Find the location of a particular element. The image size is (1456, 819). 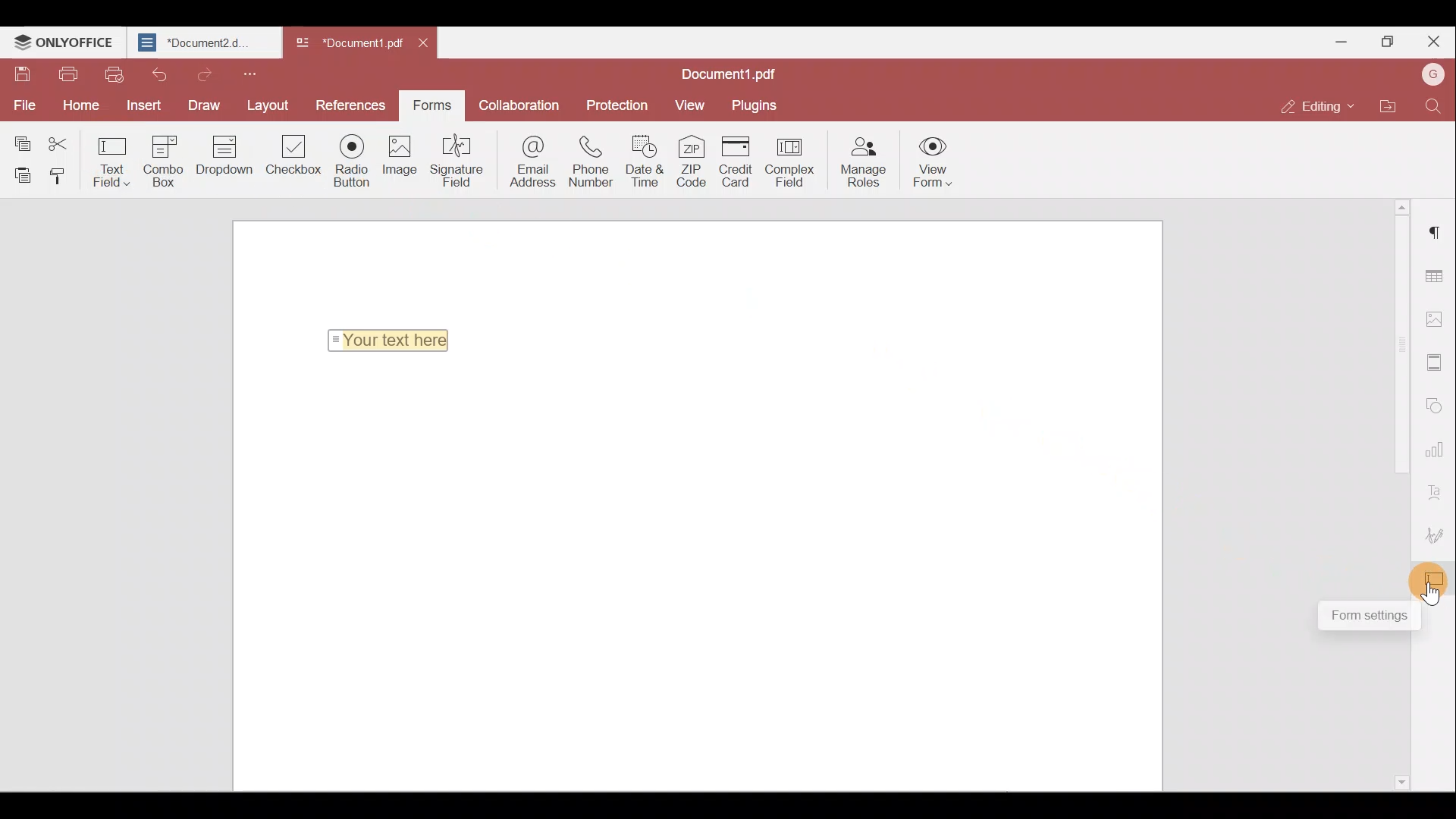

Open file location is located at coordinates (1386, 105).